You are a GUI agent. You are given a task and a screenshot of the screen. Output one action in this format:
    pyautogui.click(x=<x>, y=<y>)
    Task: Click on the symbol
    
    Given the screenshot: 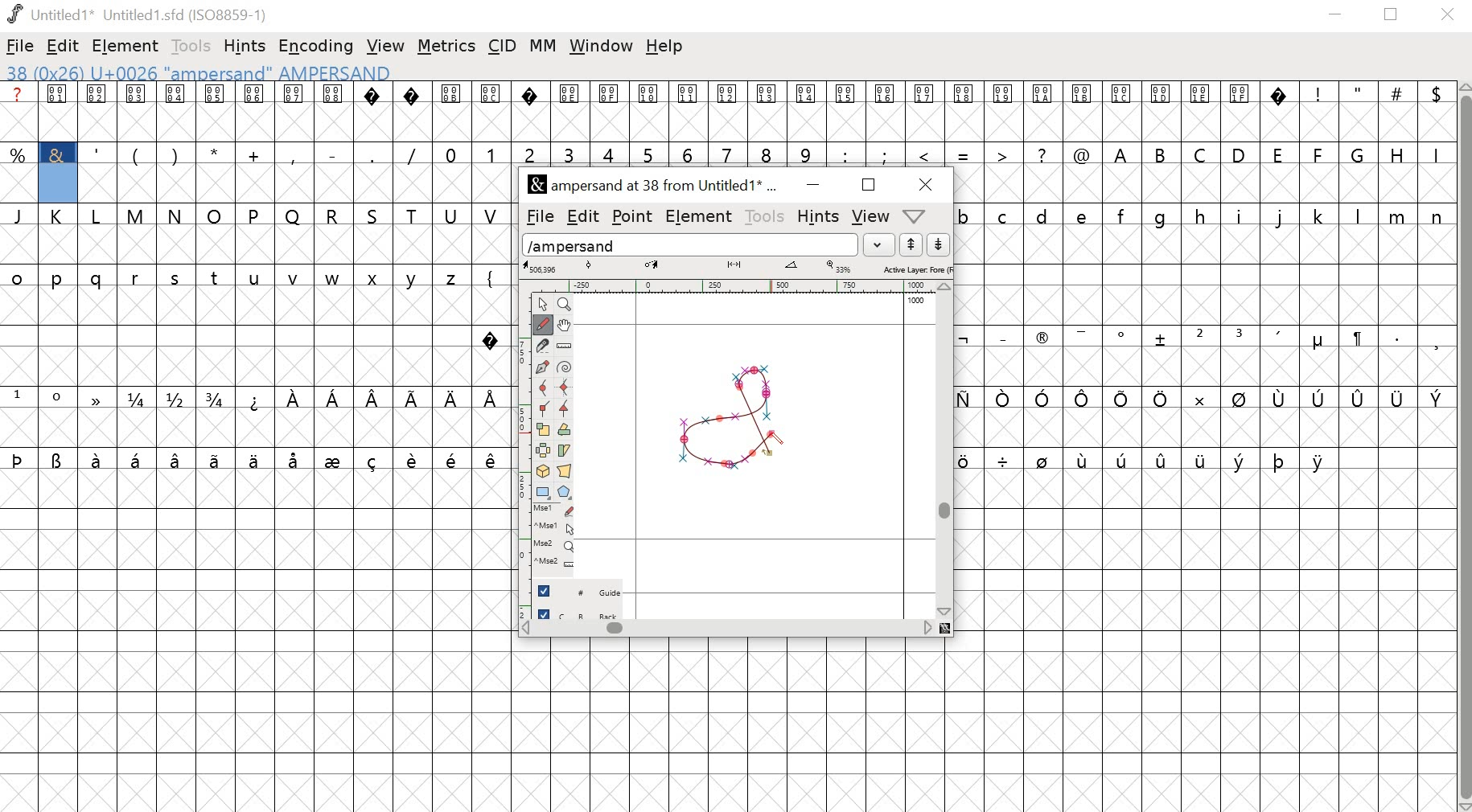 What is the action you would take?
    pyautogui.click(x=1082, y=335)
    